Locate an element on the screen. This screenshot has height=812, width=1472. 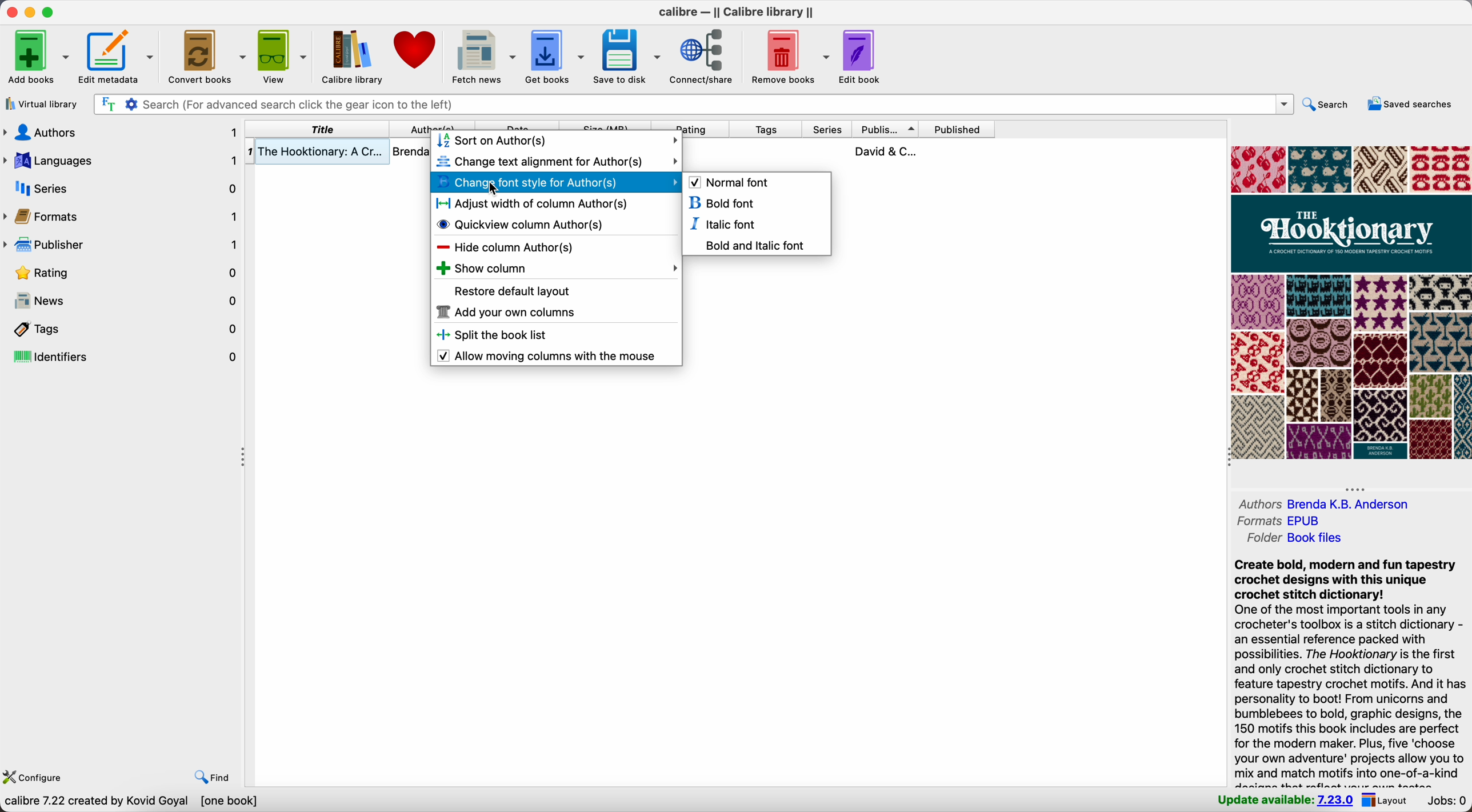
series is located at coordinates (827, 130).